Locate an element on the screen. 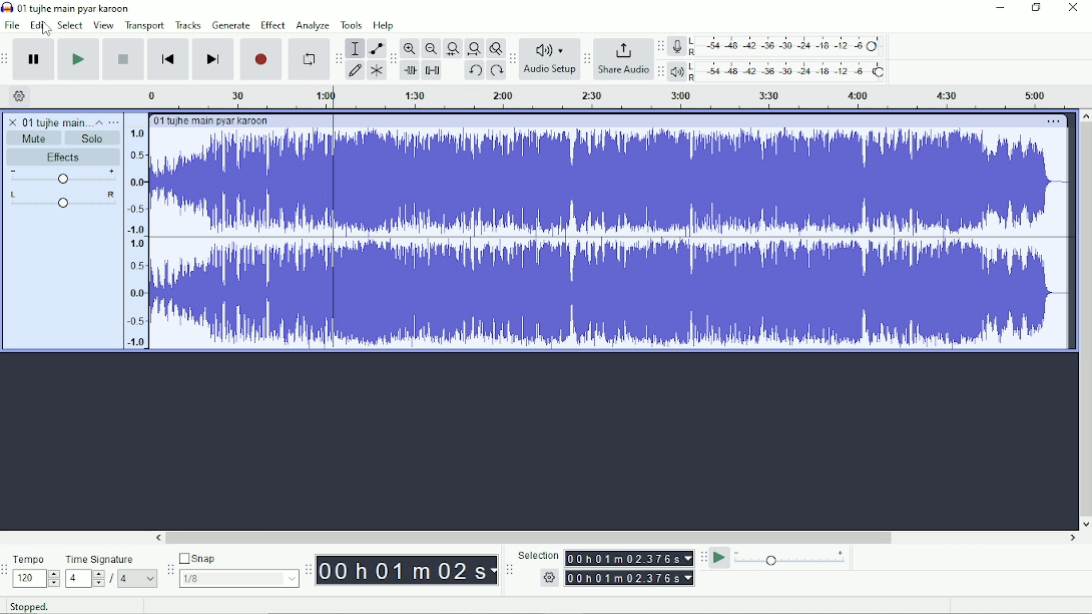 Image resolution: width=1092 pixels, height=614 pixels. Analyze is located at coordinates (314, 26).